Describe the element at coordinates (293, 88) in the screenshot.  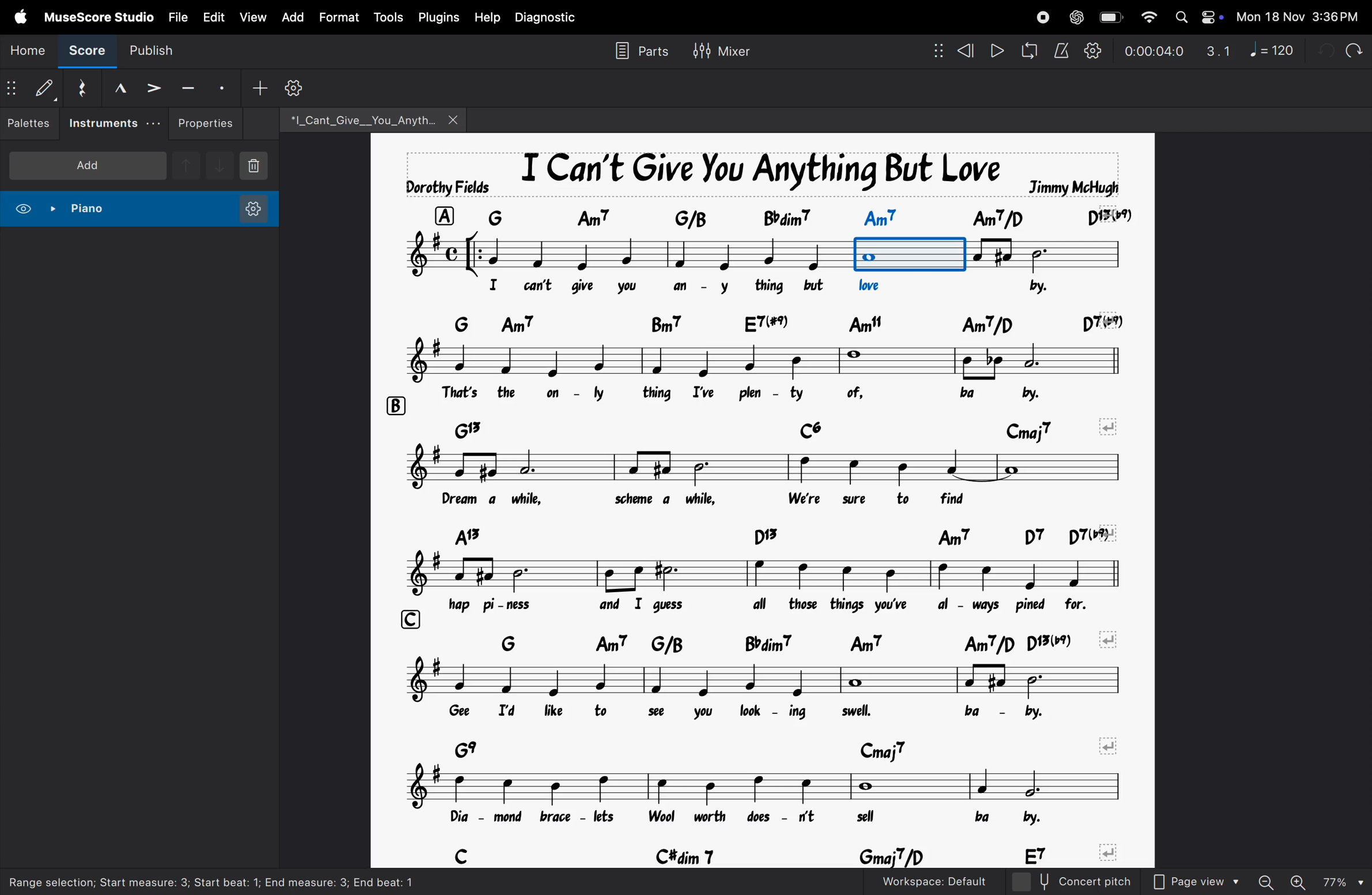
I see `settings` at that location.